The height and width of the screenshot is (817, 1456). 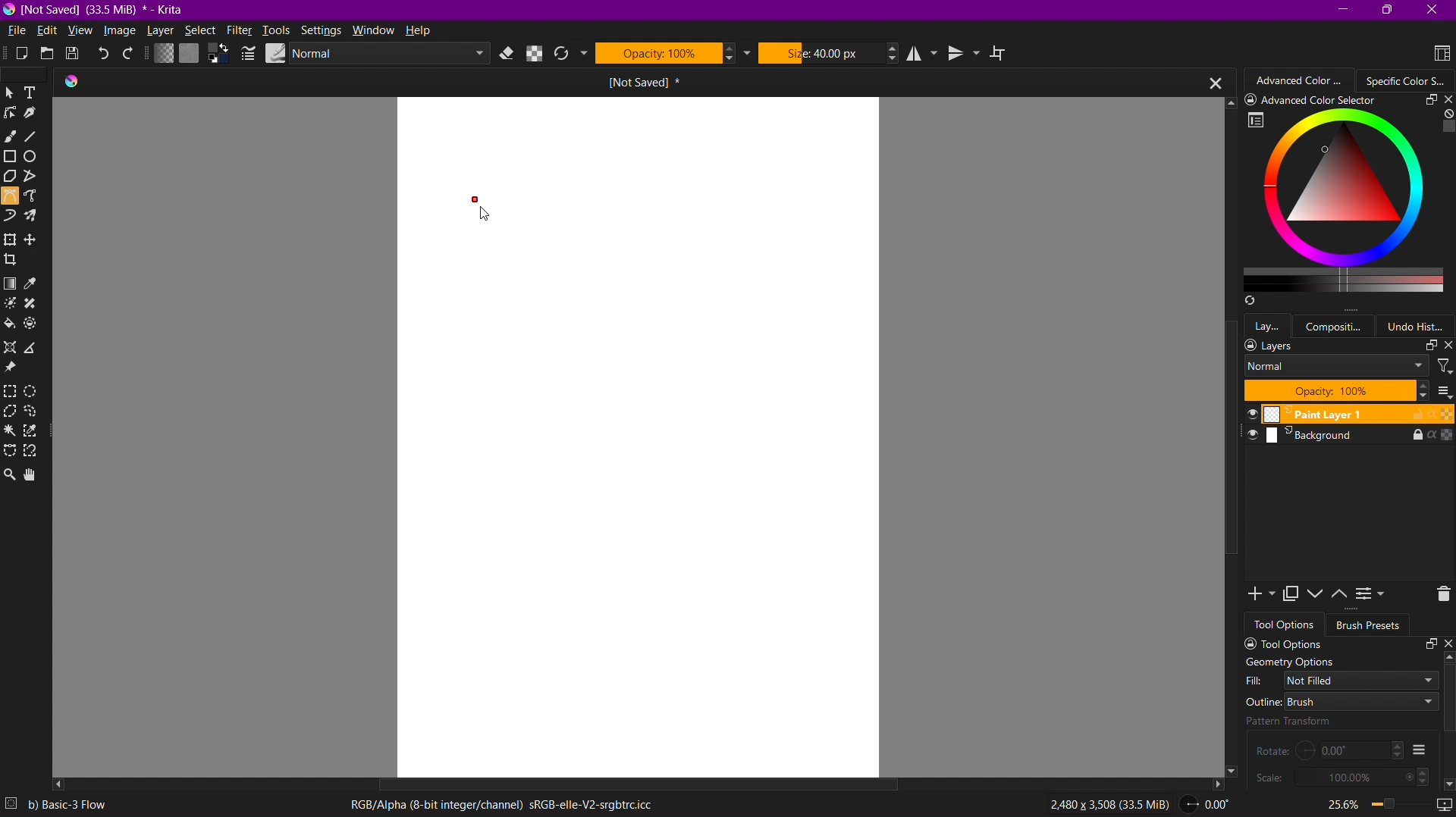 What do you see at coordinates (1302, 80) in the screenshot?
I see `Advanced Color Selector` at bounding box center [1302, 80].